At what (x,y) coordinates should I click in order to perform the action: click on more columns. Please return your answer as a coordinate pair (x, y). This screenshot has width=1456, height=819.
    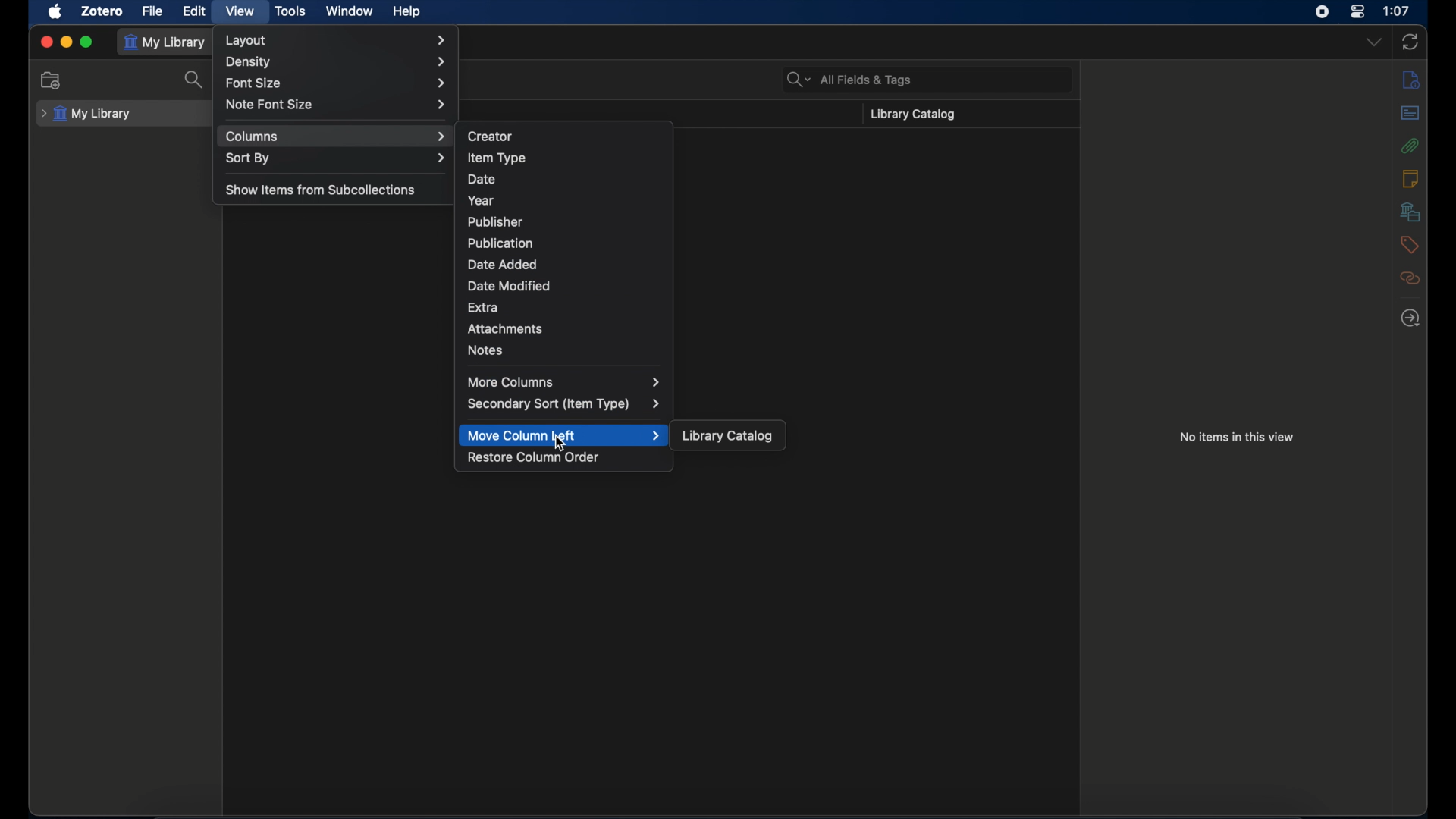
    Looking at the image, I should click on (564, 383).